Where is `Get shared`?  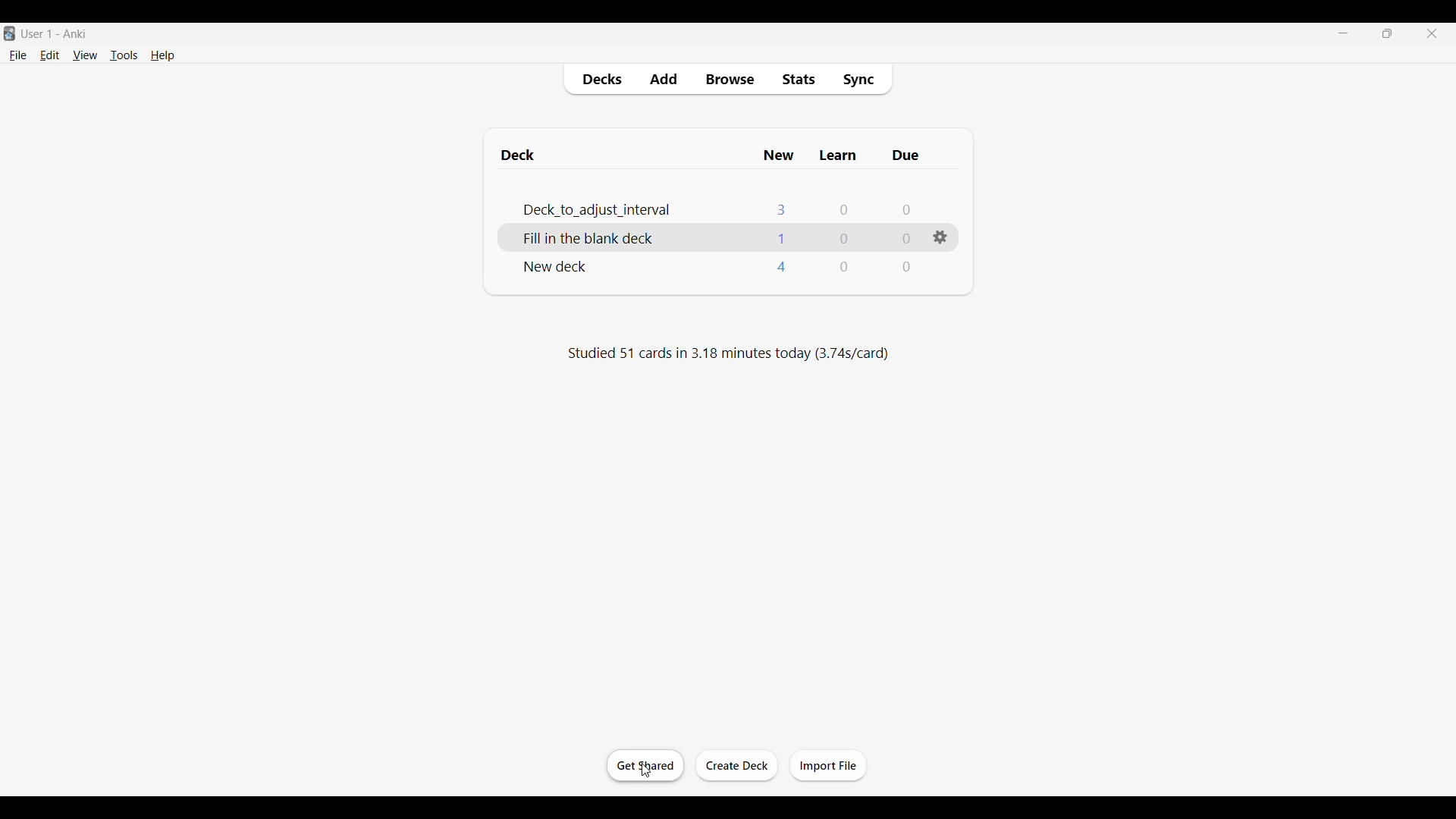
Get shared is located at coordinates (645, 766).